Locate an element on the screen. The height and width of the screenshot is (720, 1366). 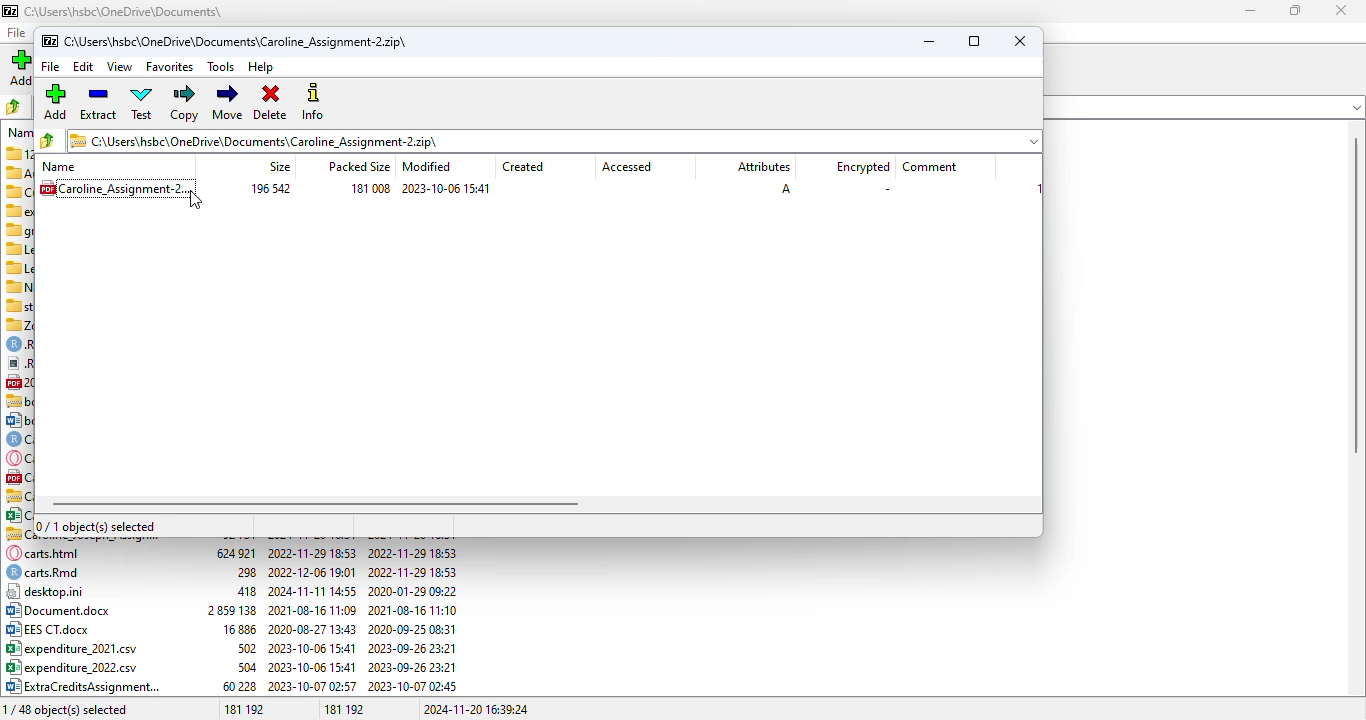
attributes is located at coordinates (762, 167).